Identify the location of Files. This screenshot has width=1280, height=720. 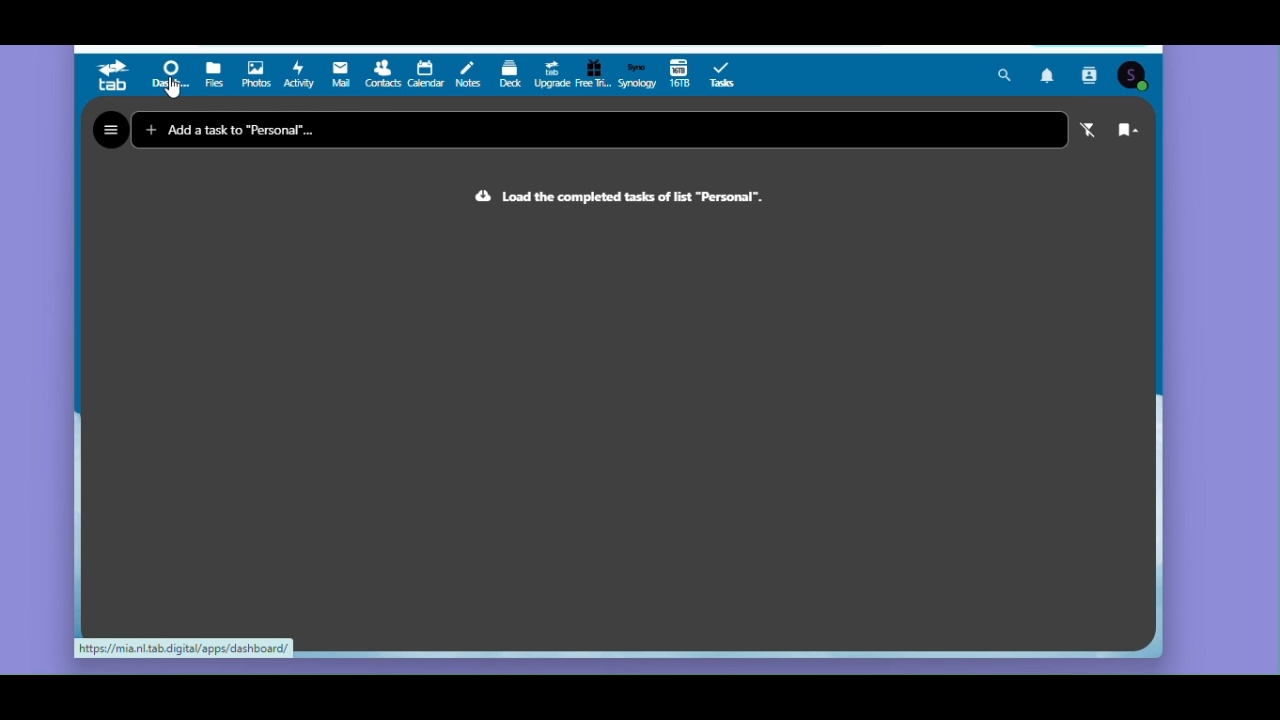
(214, 76).